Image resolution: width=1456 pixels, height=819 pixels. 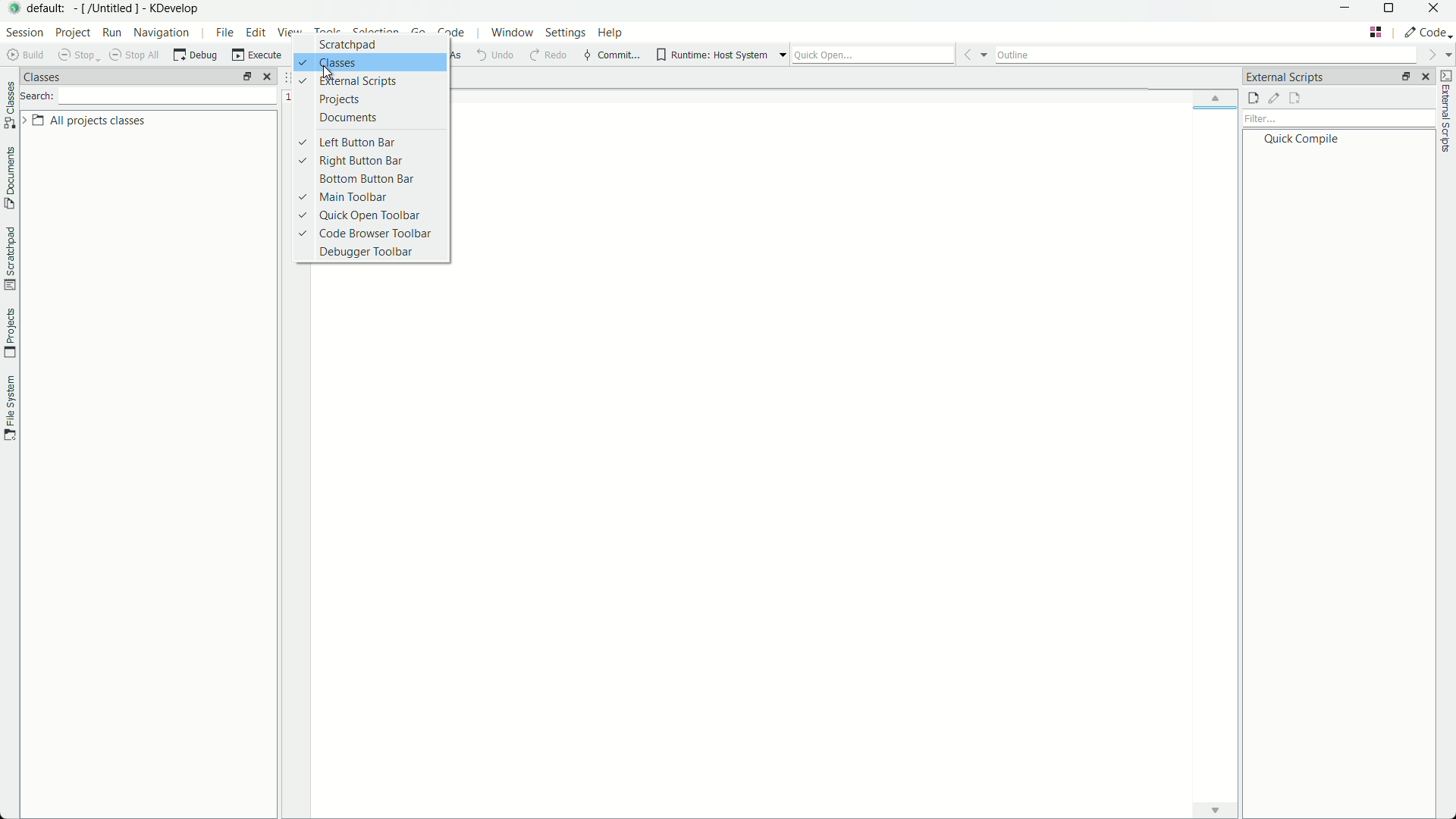 What do you see at coordinates (1428, 35) in the screenshot?
I see `execute actions to change the area` at bounding box center [1428, 35].